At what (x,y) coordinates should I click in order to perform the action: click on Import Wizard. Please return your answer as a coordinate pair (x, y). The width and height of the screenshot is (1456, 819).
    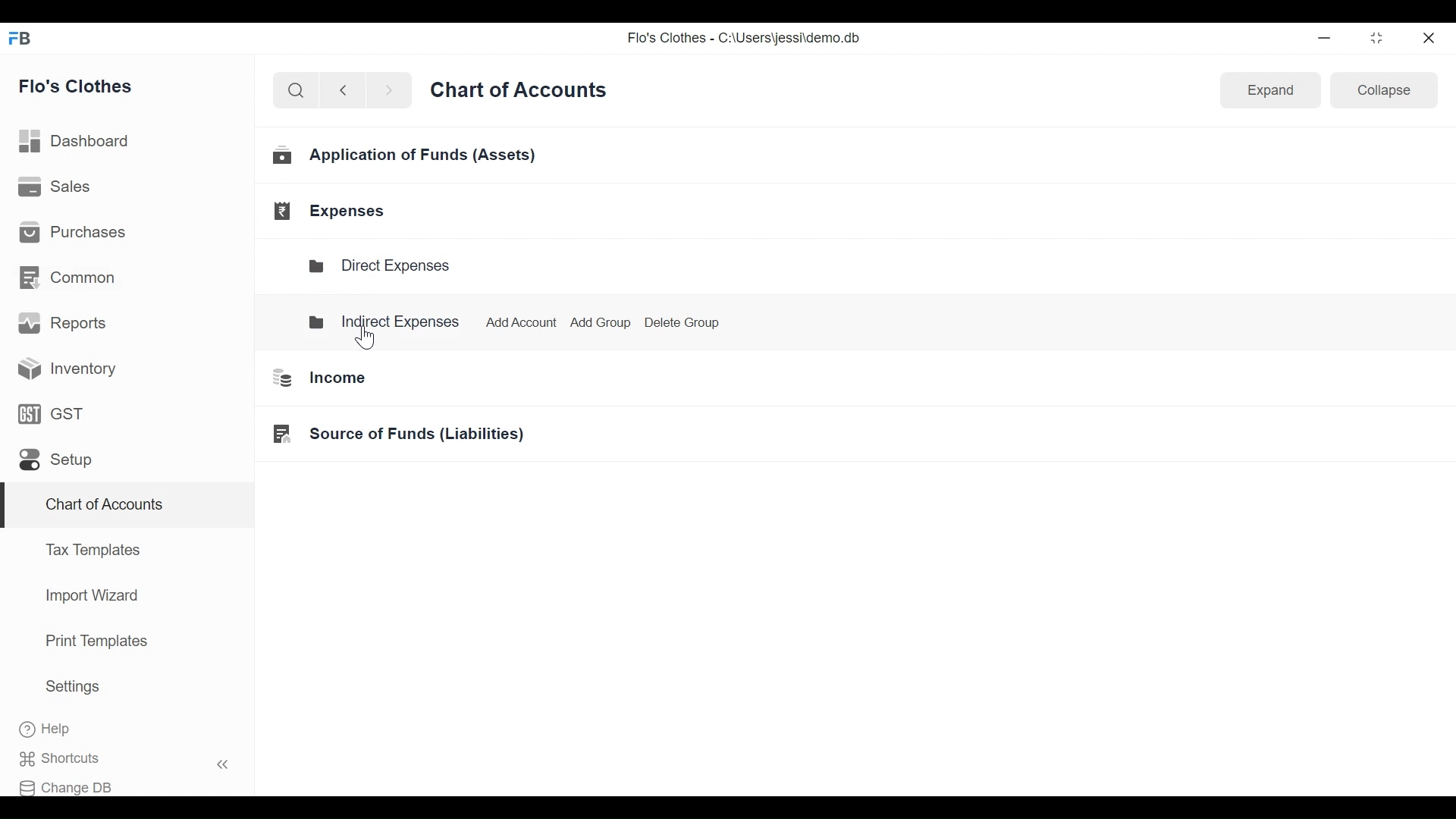
    Looking at the image, I should click on (87, 598).